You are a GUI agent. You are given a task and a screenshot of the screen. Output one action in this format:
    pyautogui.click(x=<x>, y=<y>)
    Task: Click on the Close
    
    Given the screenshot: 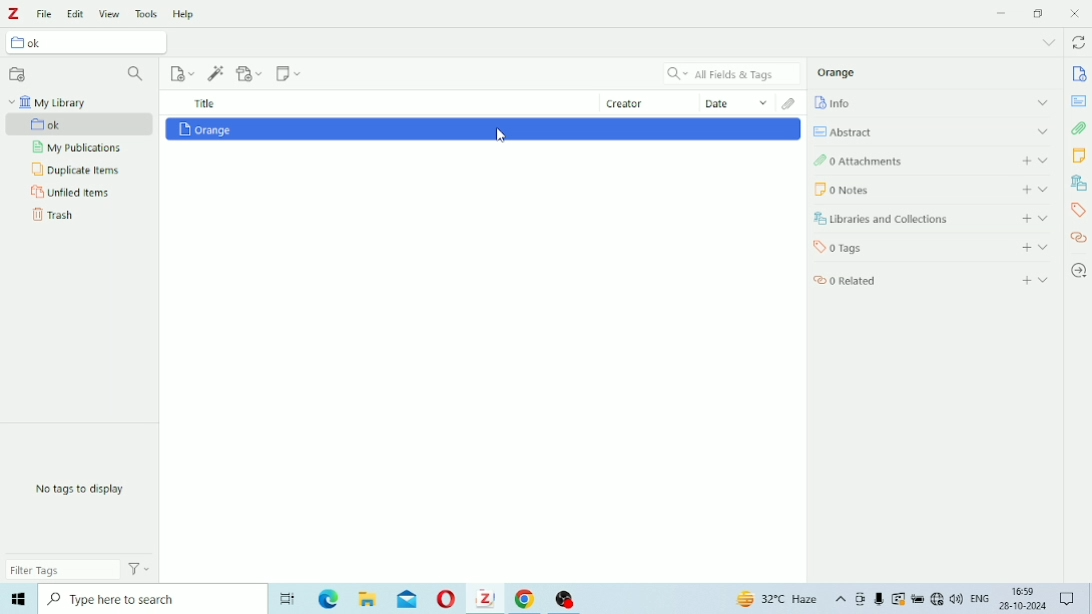 What is the action you would take?
    pyautogui.click(x=1074, y=13)
    